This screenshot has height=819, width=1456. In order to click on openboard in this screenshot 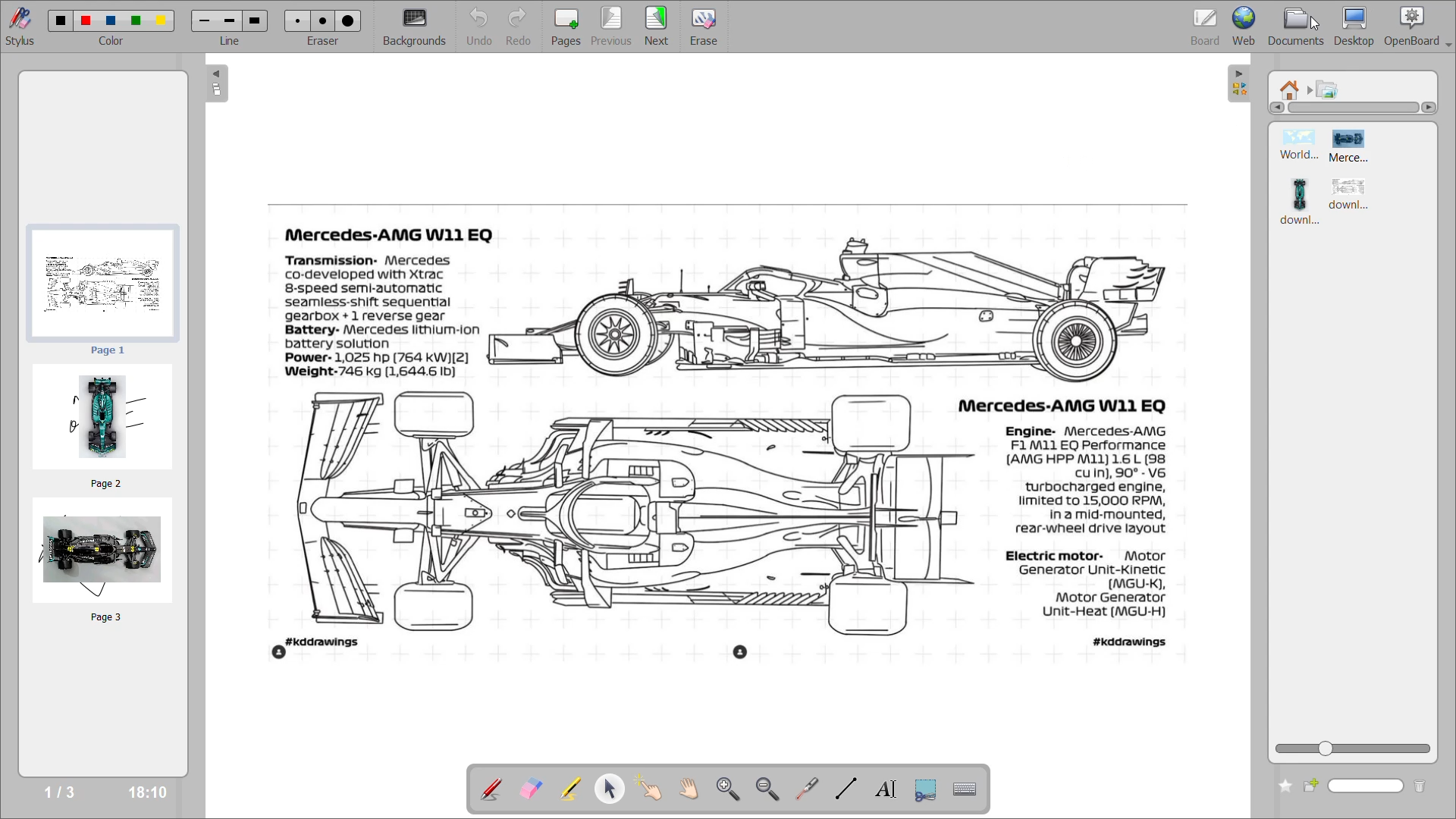, I will do `click(1418, 26)`.